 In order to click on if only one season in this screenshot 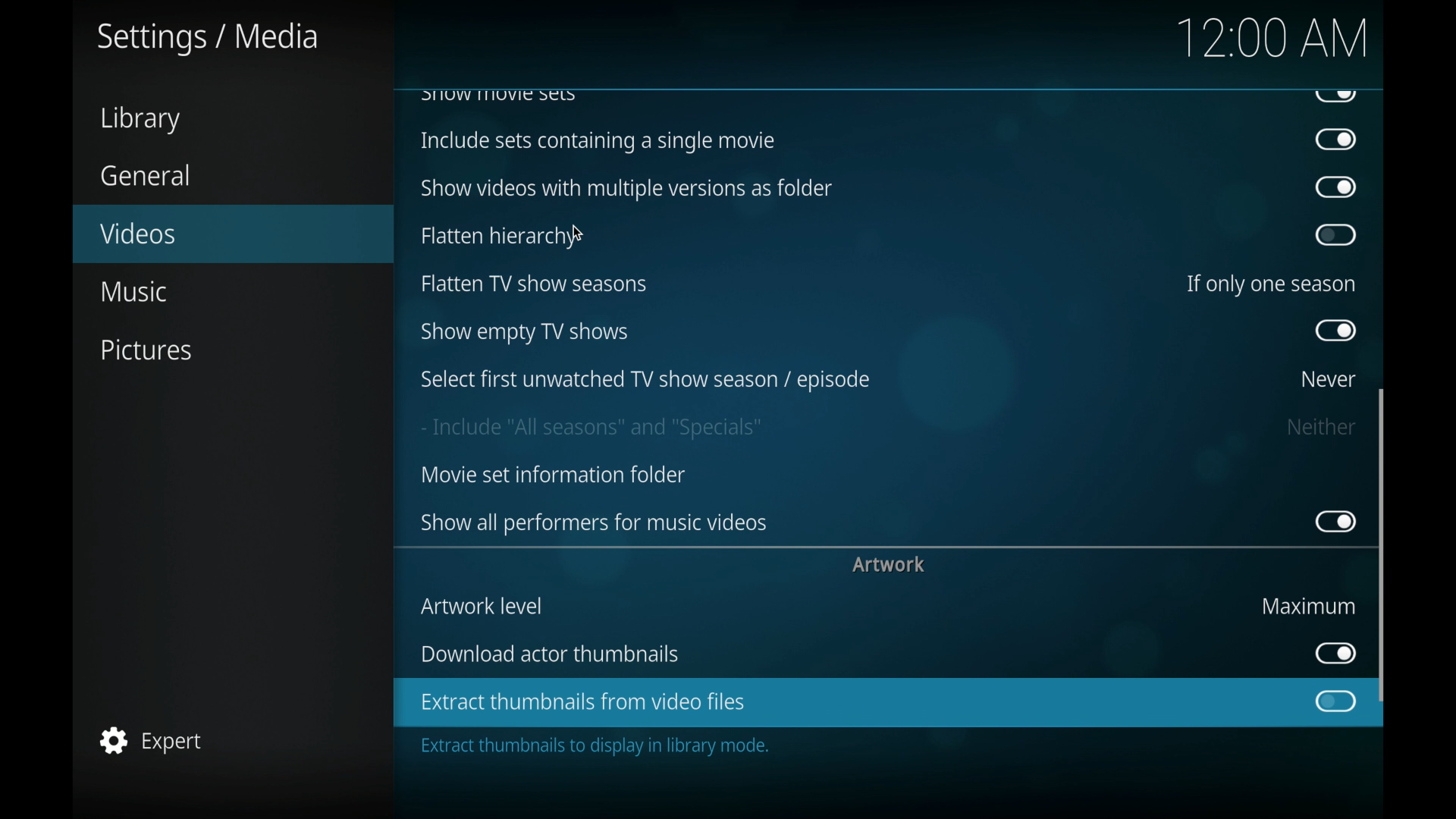, I will do `click(1270, 284)`.